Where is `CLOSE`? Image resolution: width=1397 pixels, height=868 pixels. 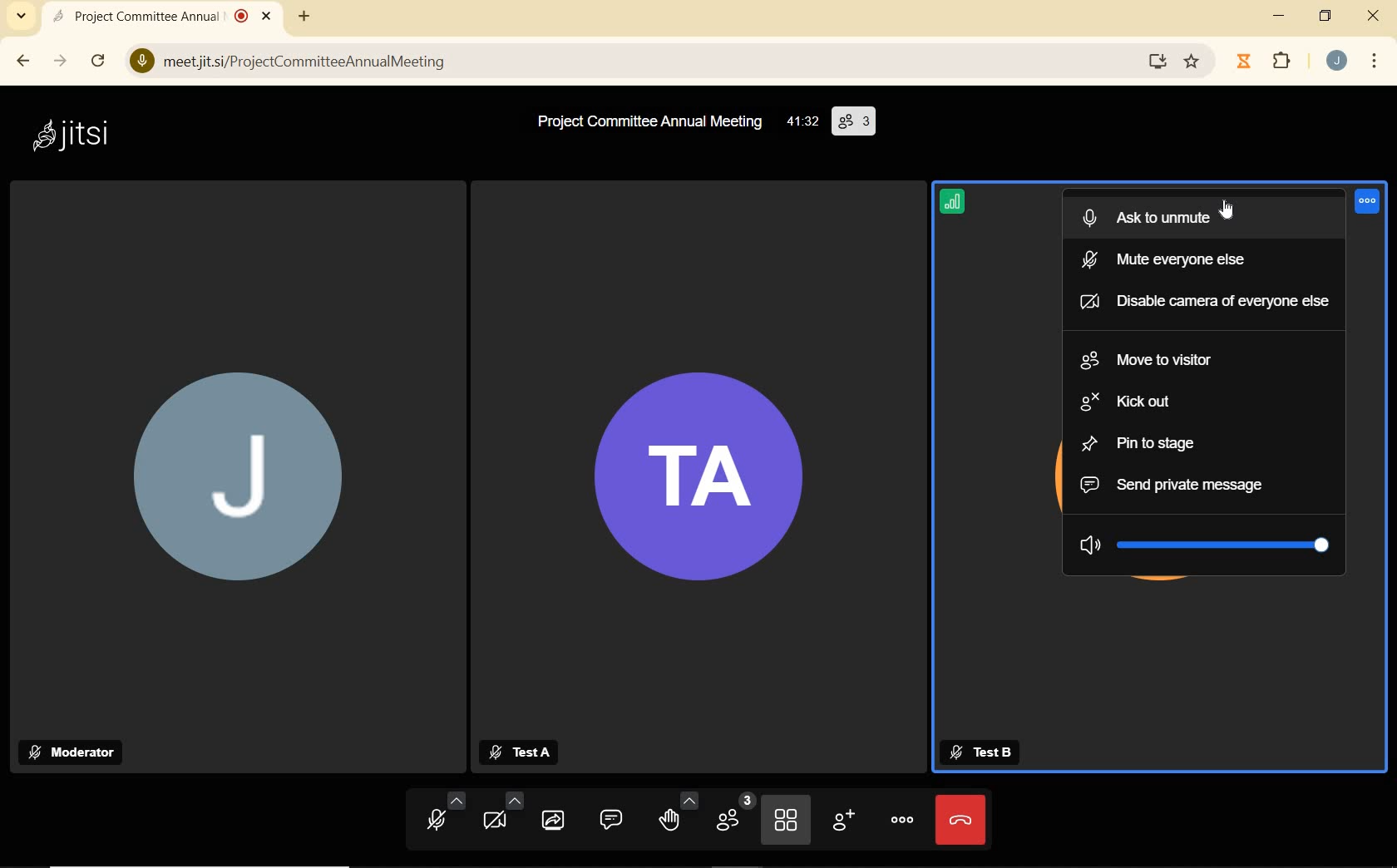 CLOSE is located at coordinates (268, 13).